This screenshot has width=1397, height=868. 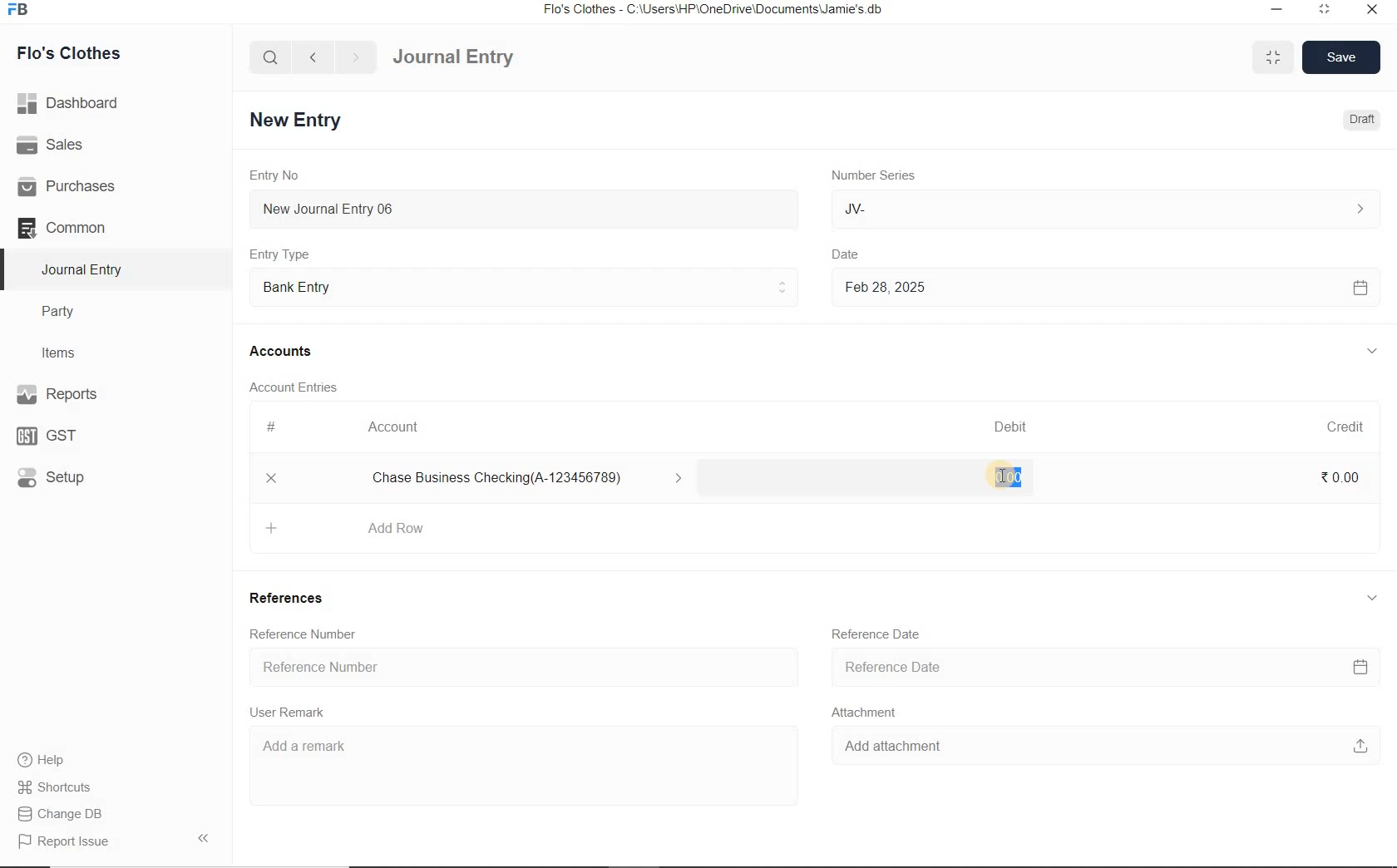 I want to click on Shortcuts, so click(x=55, y=784).